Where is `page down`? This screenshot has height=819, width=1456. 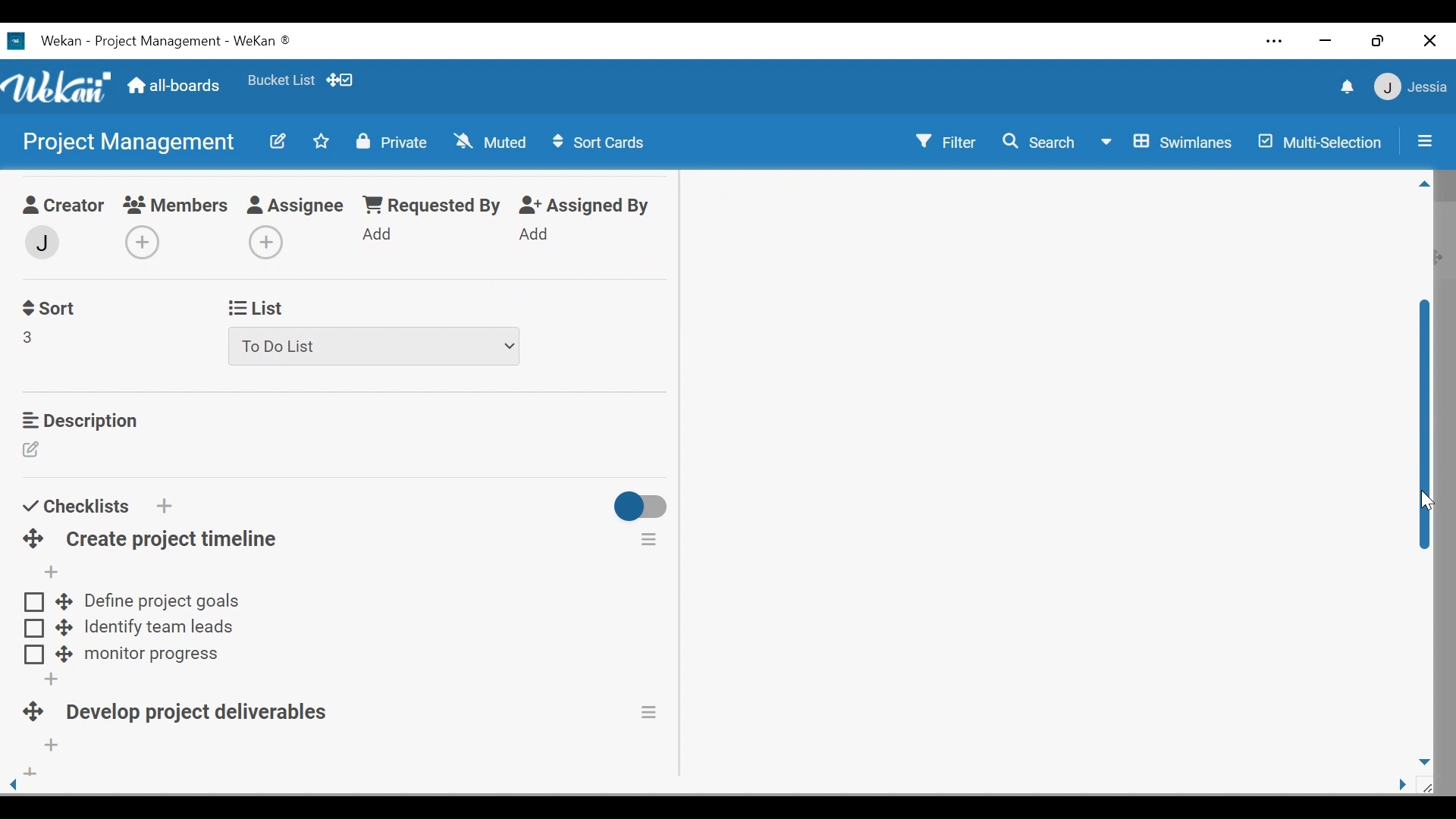
page down is located at coordinates (1426, 758).